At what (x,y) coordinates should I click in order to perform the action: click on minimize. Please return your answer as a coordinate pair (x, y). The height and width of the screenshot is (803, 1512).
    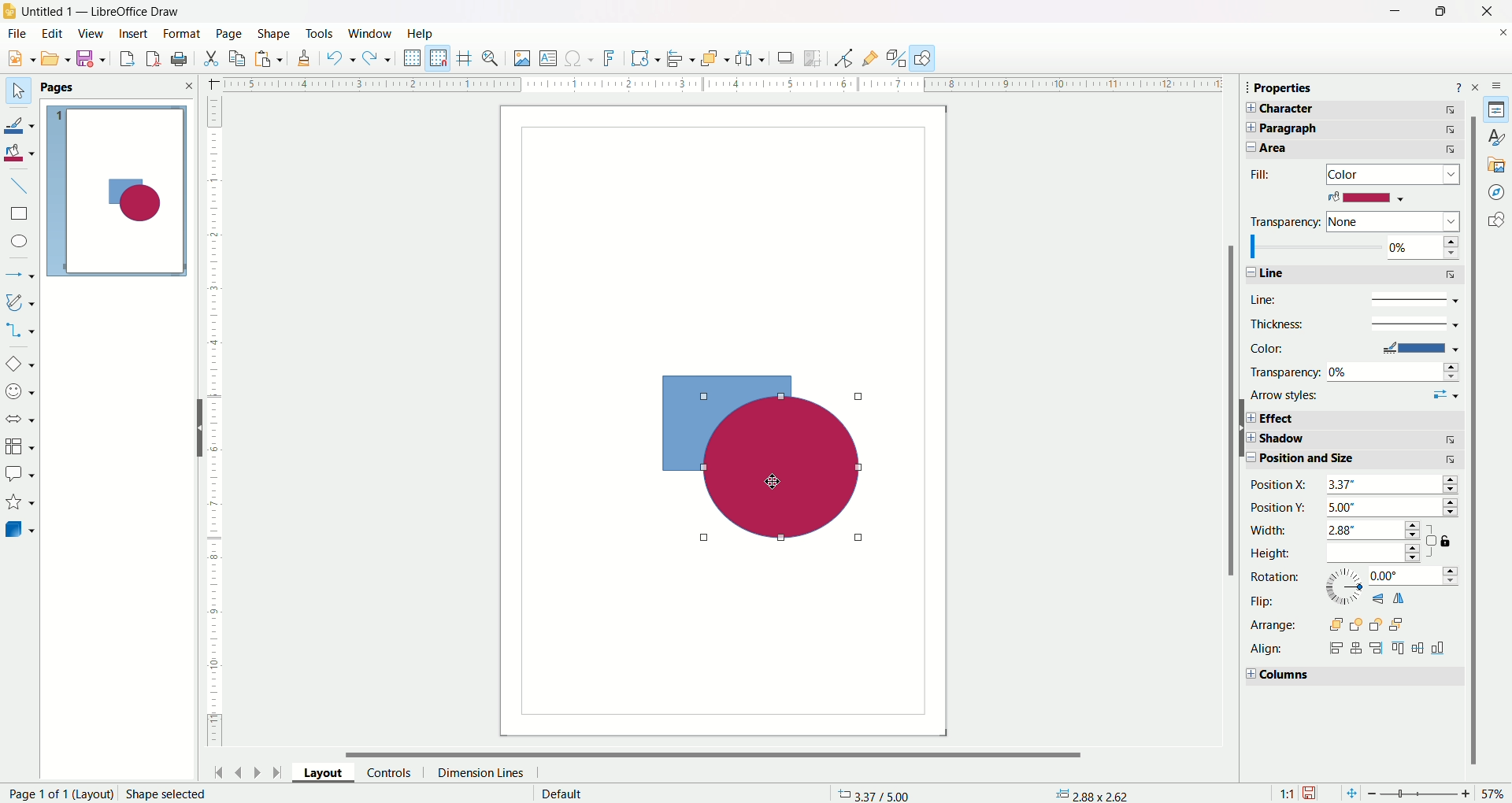
    Looking at the image, I should click on (1392, 13).